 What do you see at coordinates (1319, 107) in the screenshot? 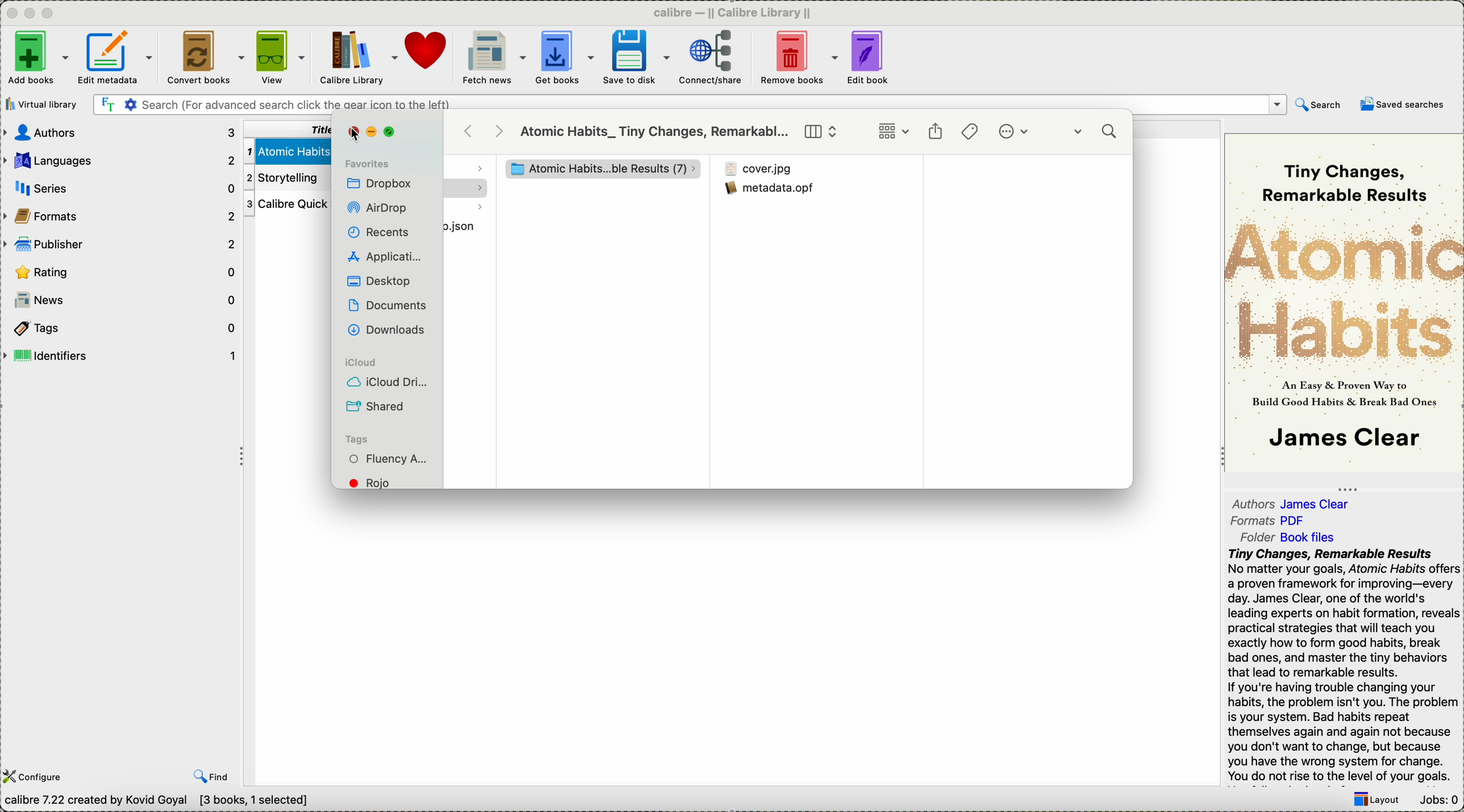
I see `search` at bounding box center [1319, 107].